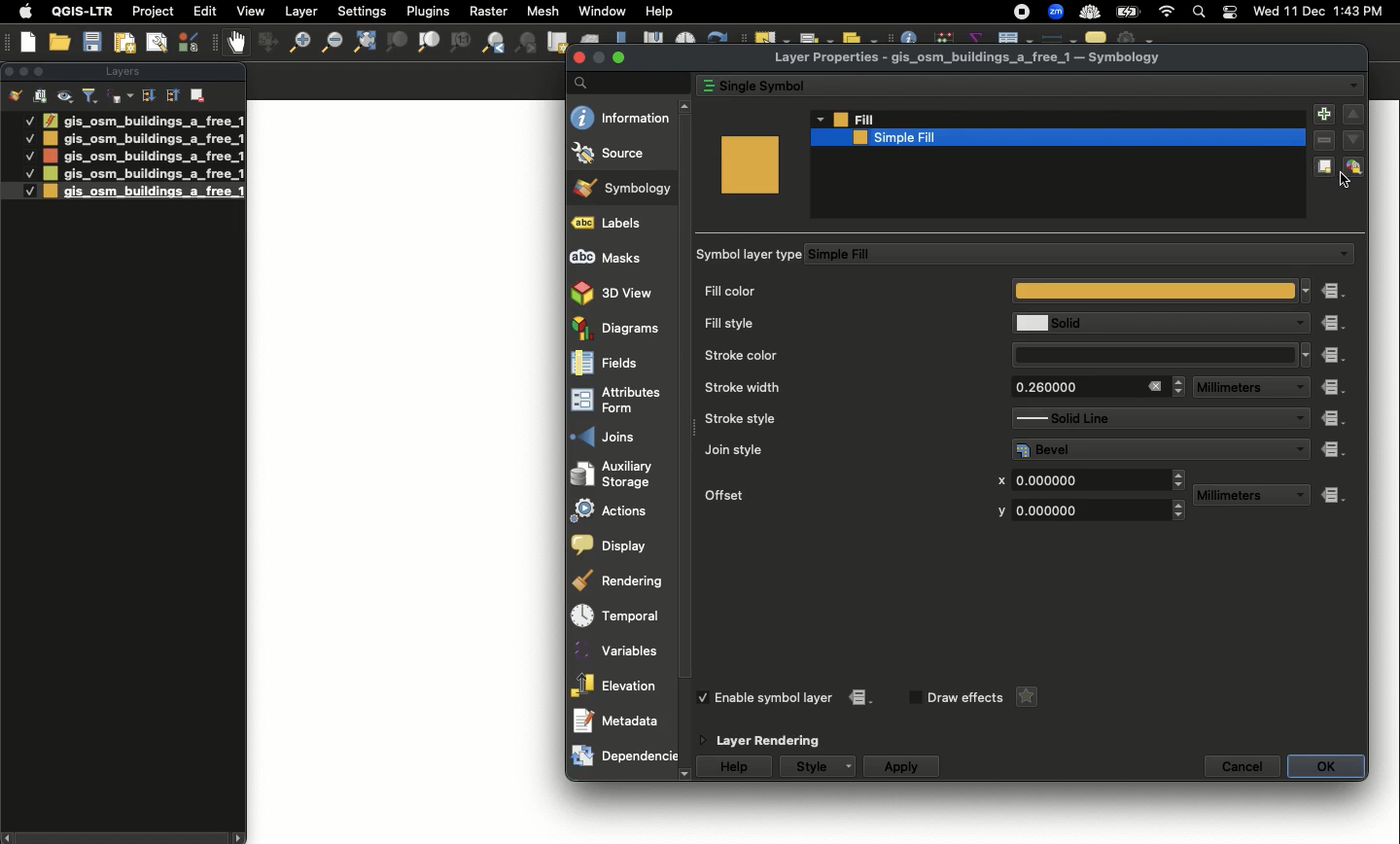 This screenshot has height=844, width=1400. I want to click on Fill, so click(1059, 120).